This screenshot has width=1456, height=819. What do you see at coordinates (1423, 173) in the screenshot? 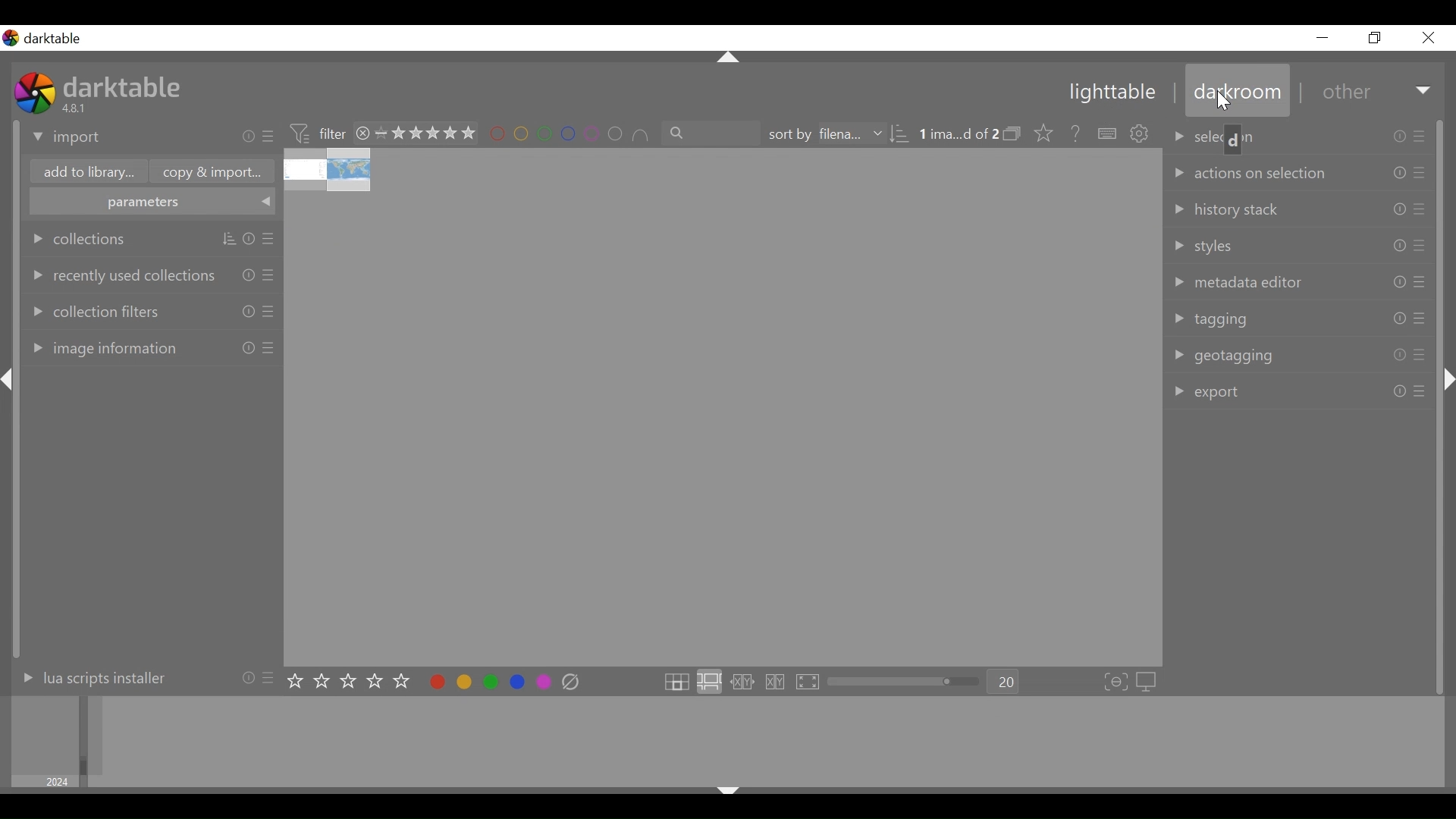
I see `` at bounding box center [1423, 173].